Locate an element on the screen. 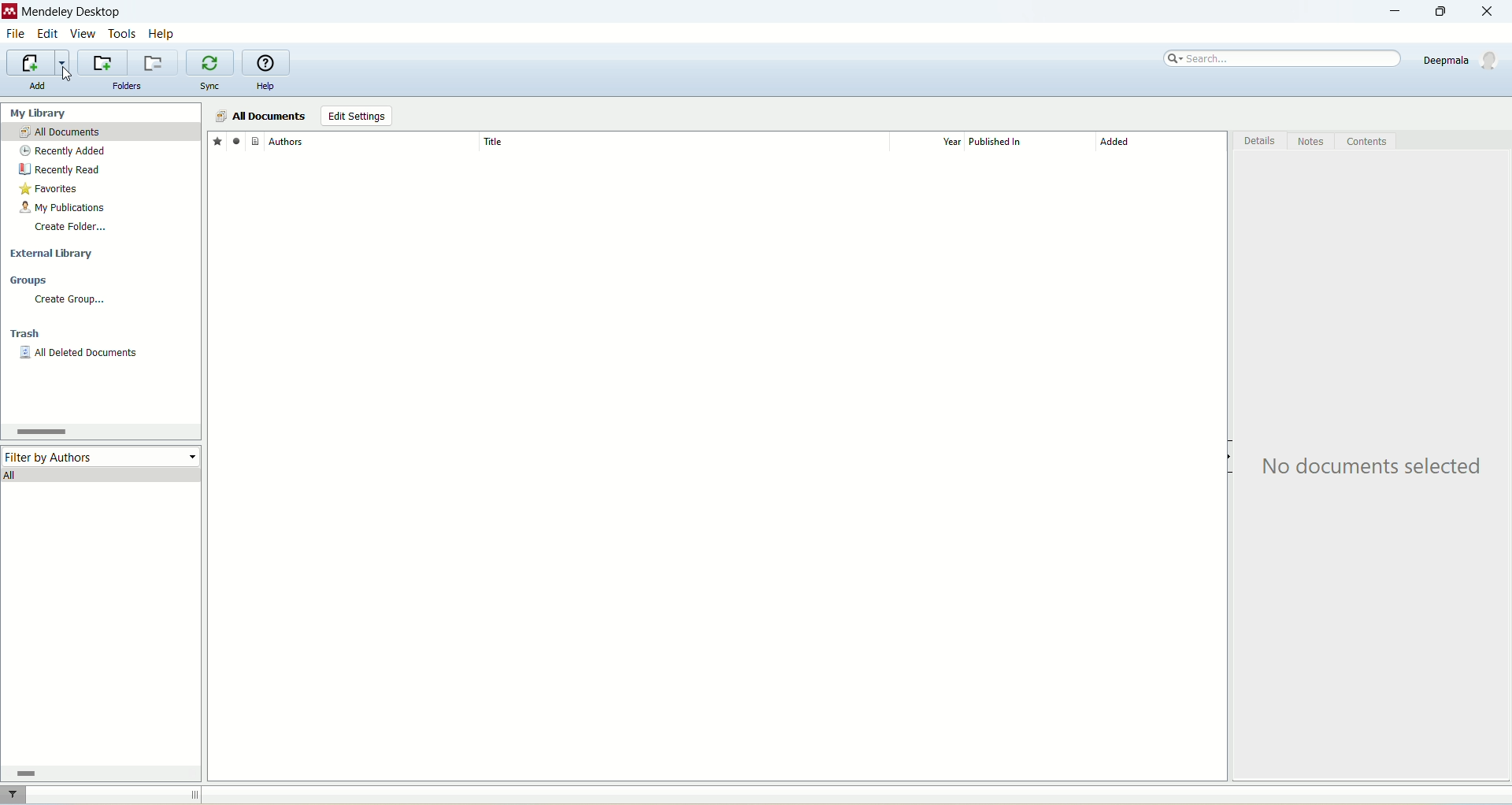  mendeley desktop is located at coordinates (69, 13).